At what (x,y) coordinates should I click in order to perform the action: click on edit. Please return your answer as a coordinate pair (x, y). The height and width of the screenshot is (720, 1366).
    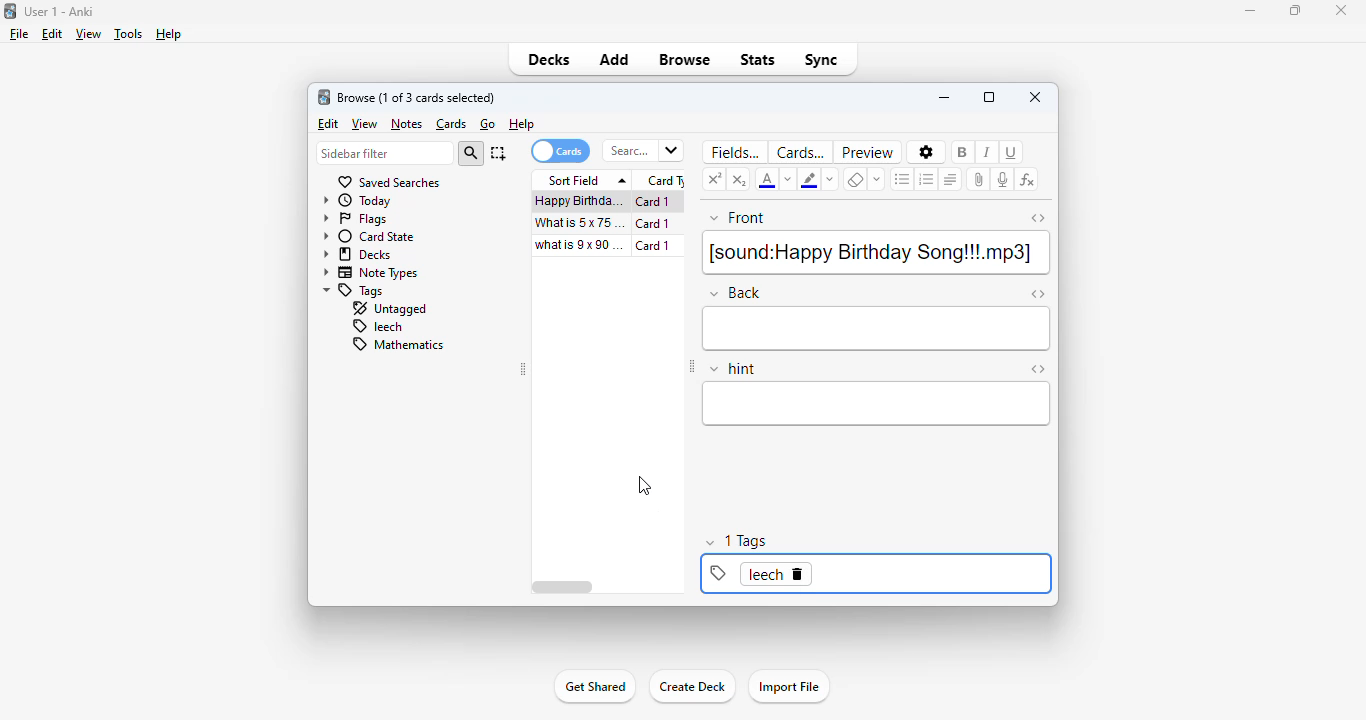
    Looking at the image, I should click on (328, 125).